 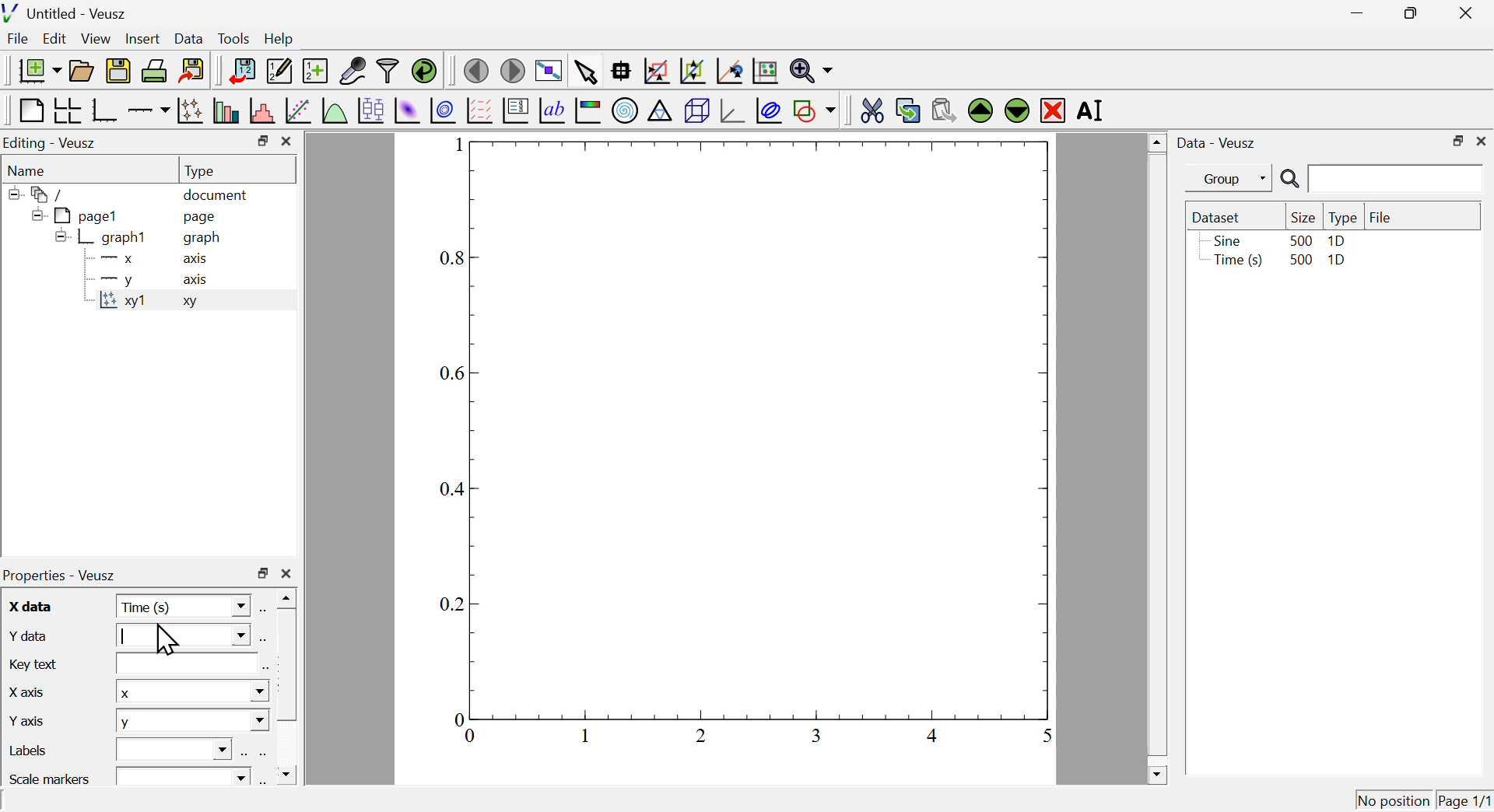 What do you see at coordinates (516, 113) in the screenshot?
I see `plot key` at bounding box center [516, 113].